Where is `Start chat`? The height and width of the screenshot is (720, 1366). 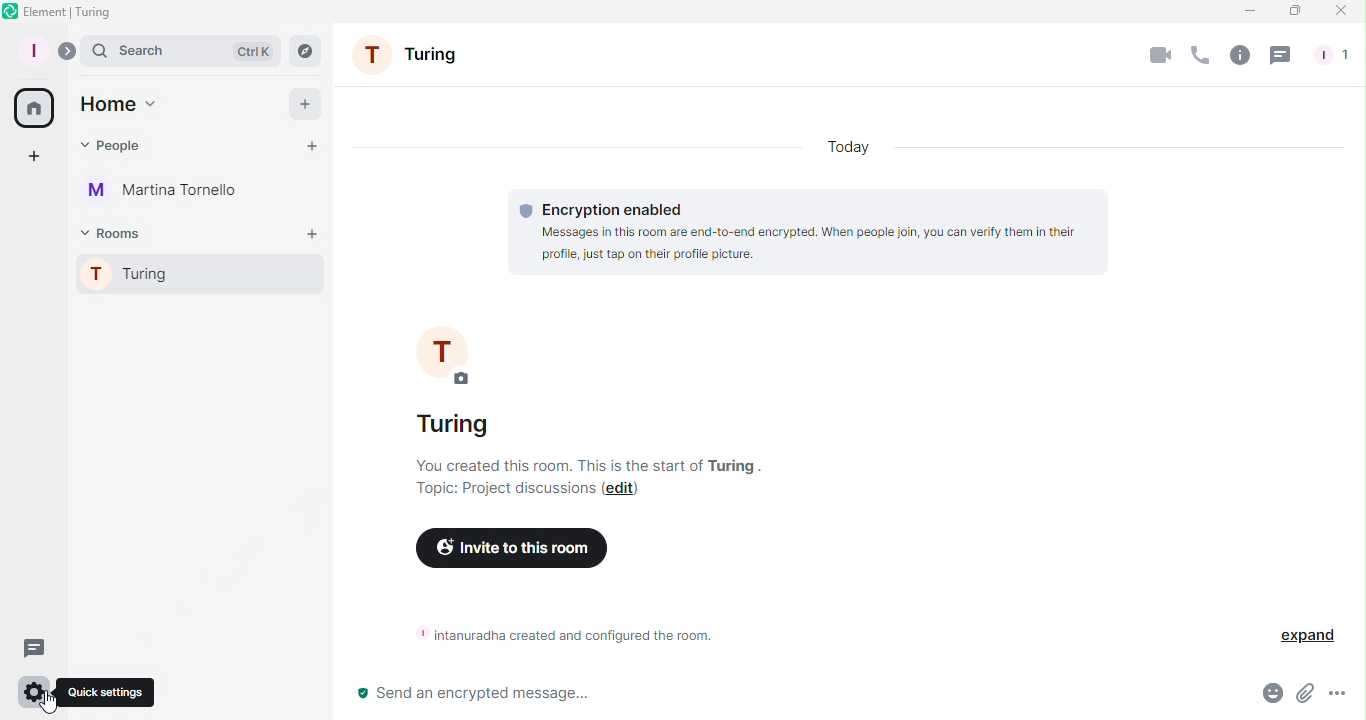
Start chat is located at coordinates (313, 149).